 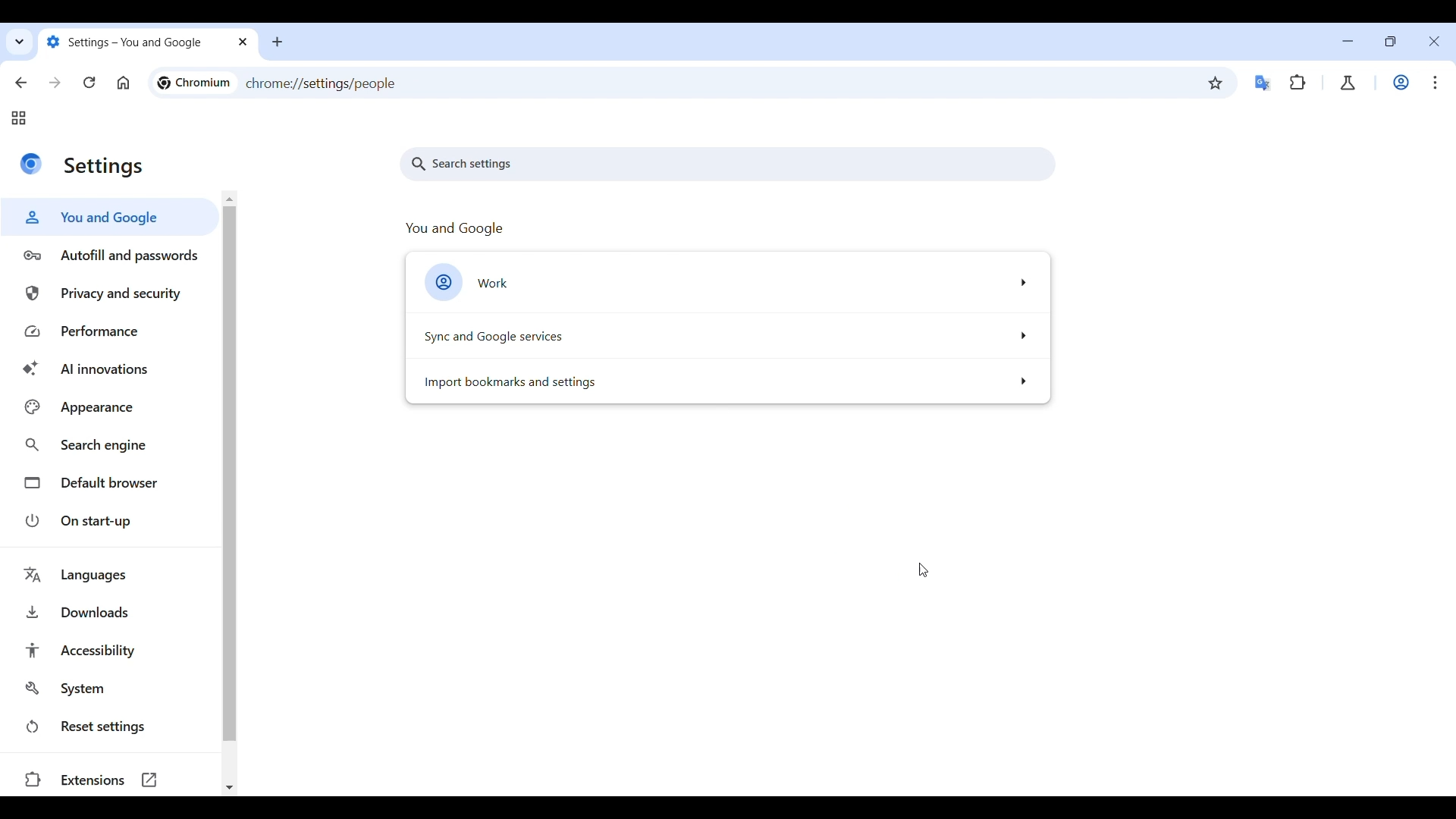 I want to click on Search engine, so click(x=111, y=446).